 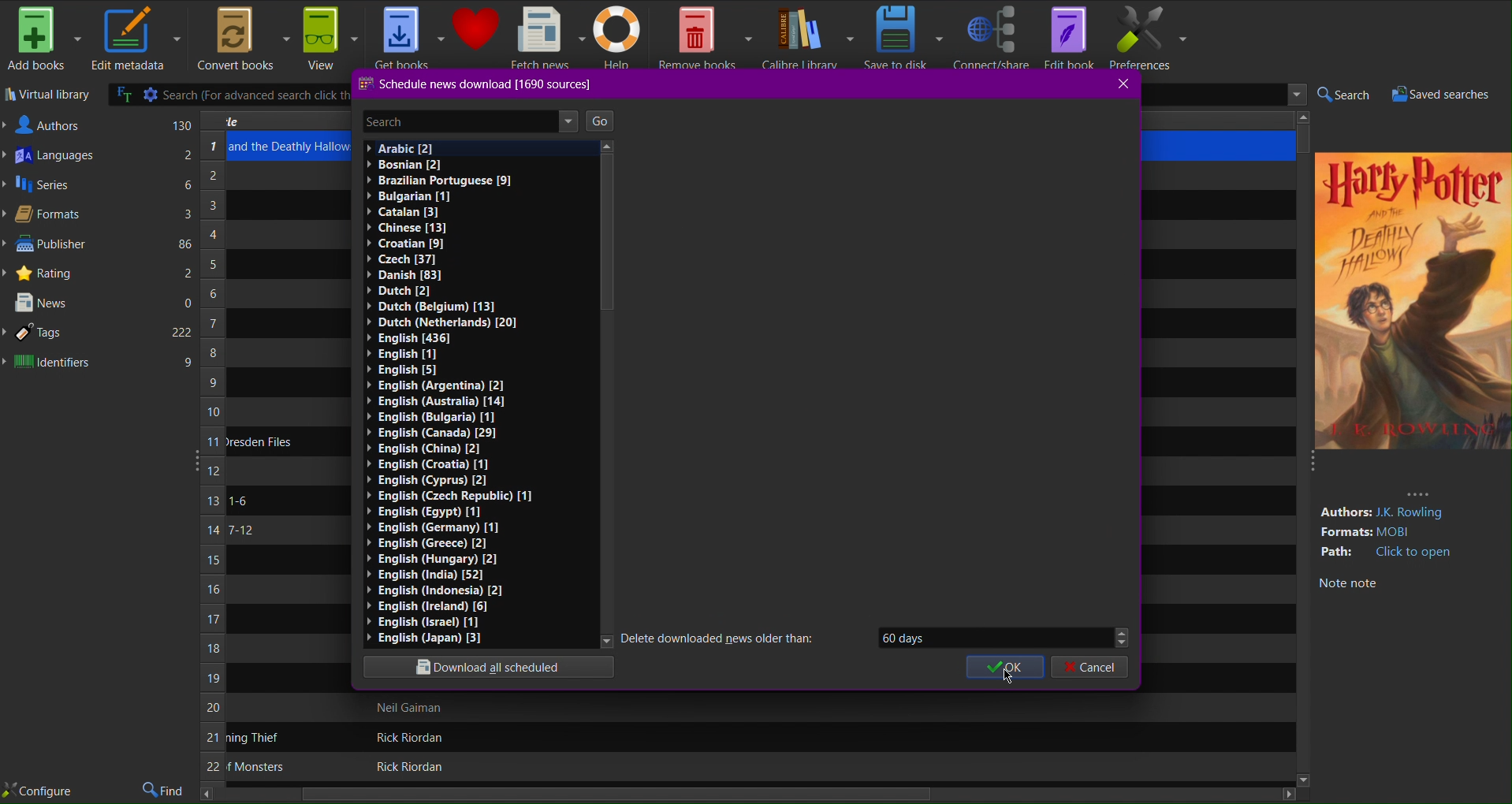 What do you see at coordinates (436, 418) in the screenshot?
I see `English (bulgaria) [1]` at bounding box center [436, 418].